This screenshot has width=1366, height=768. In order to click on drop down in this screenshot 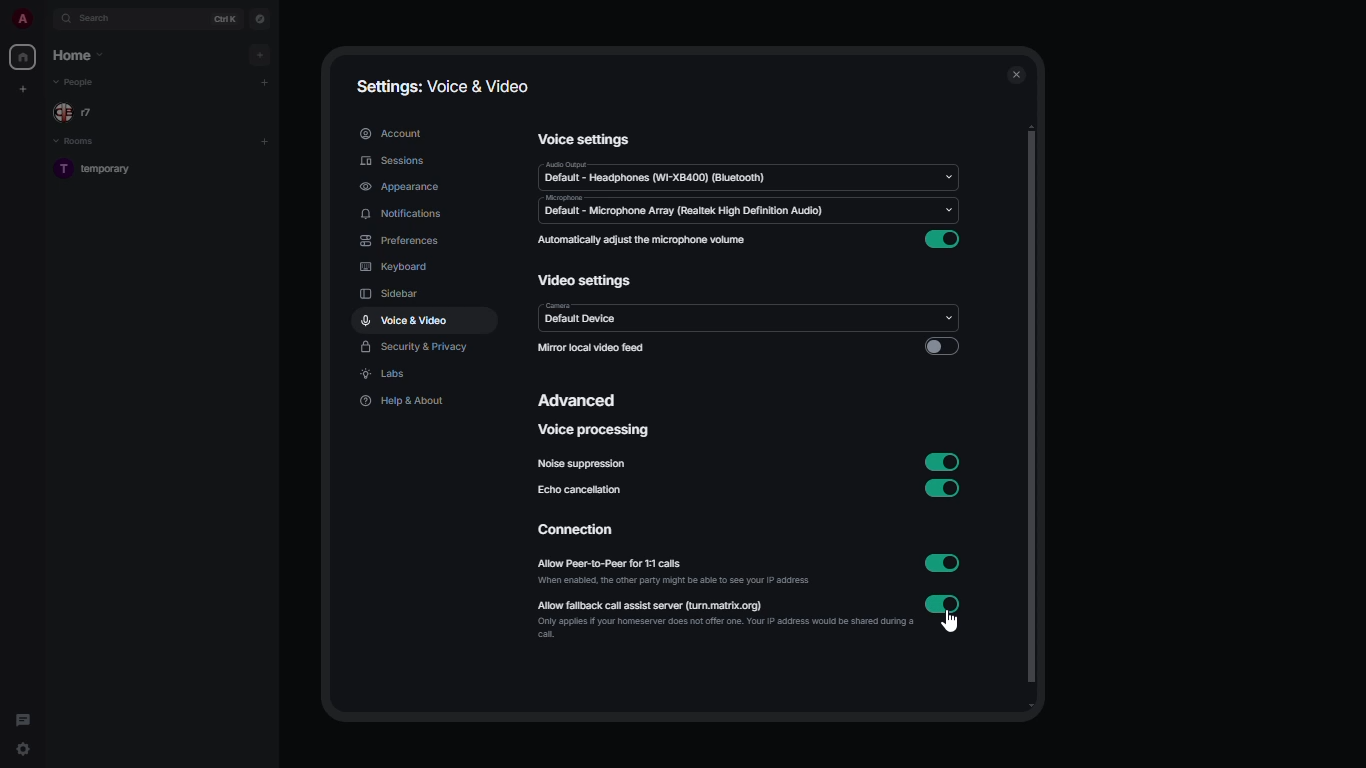, I will do `click(945, 318)`.